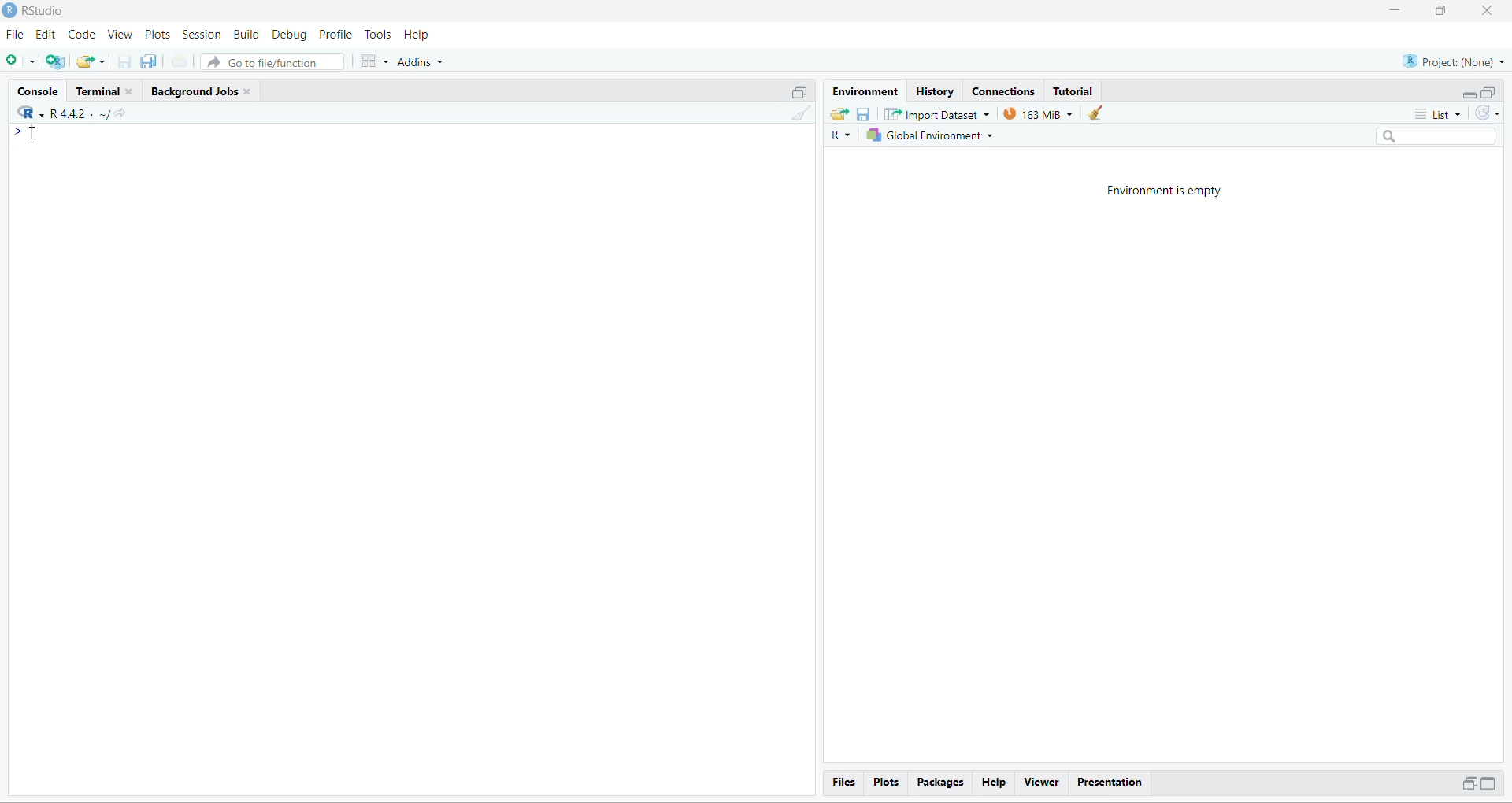 The width and height of the screenshot is (1512, 803). Describe the element at coordinates (993, 783) in the screenshot. I see `Help` at that location.